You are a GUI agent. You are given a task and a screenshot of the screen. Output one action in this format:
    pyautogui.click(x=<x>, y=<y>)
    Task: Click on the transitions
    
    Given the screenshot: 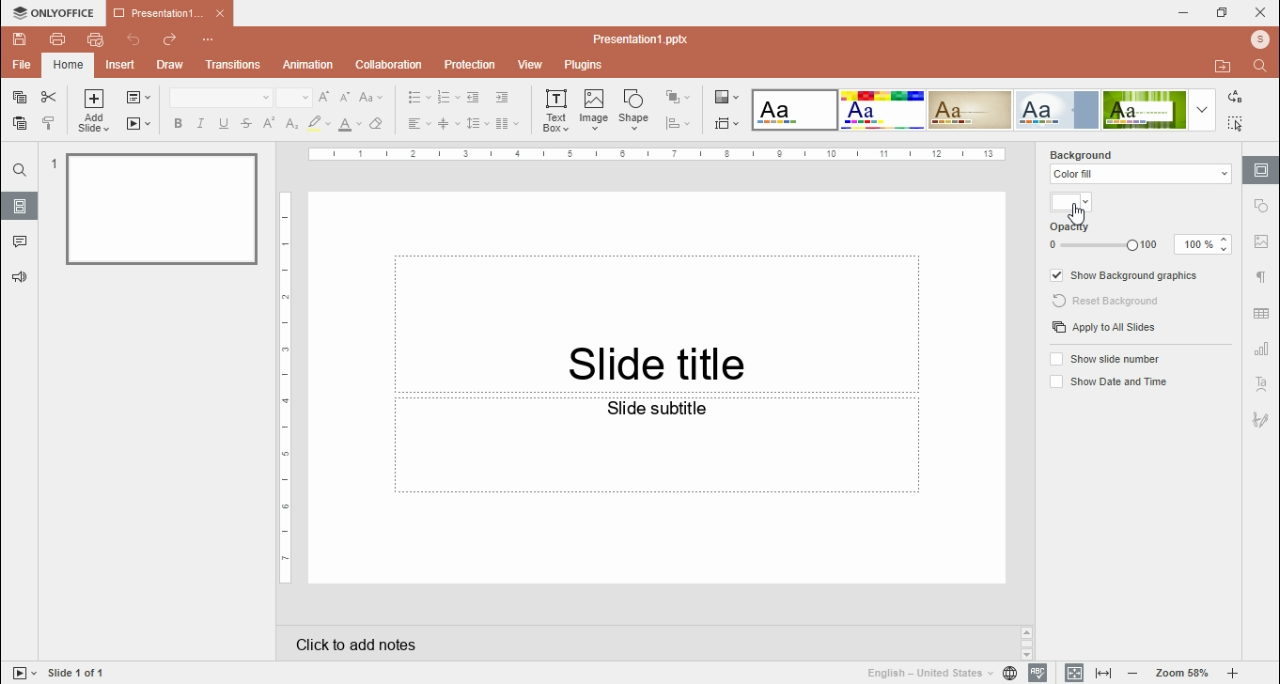 What is the action you would take?
    pyautogui.click(x=230, y=65)
    